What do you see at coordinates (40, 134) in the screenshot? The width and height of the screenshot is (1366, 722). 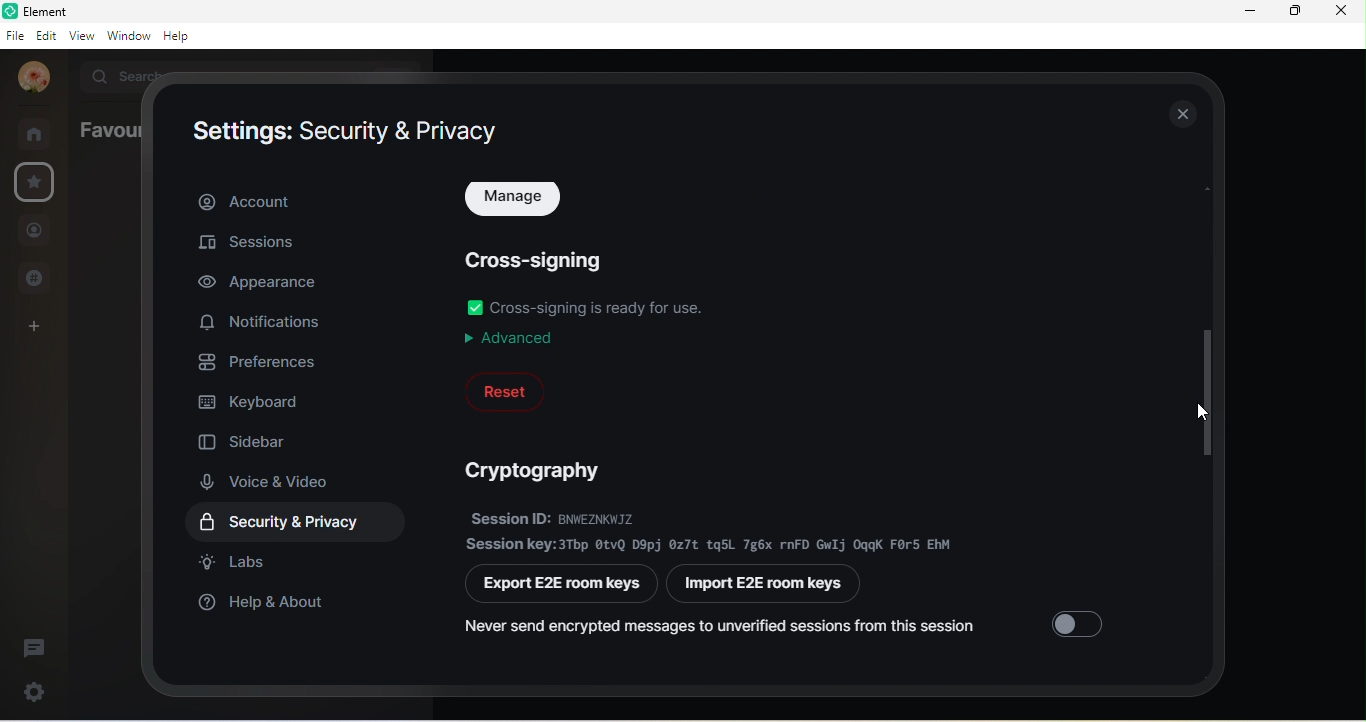 I see `home` at bounding box center [40, 134].